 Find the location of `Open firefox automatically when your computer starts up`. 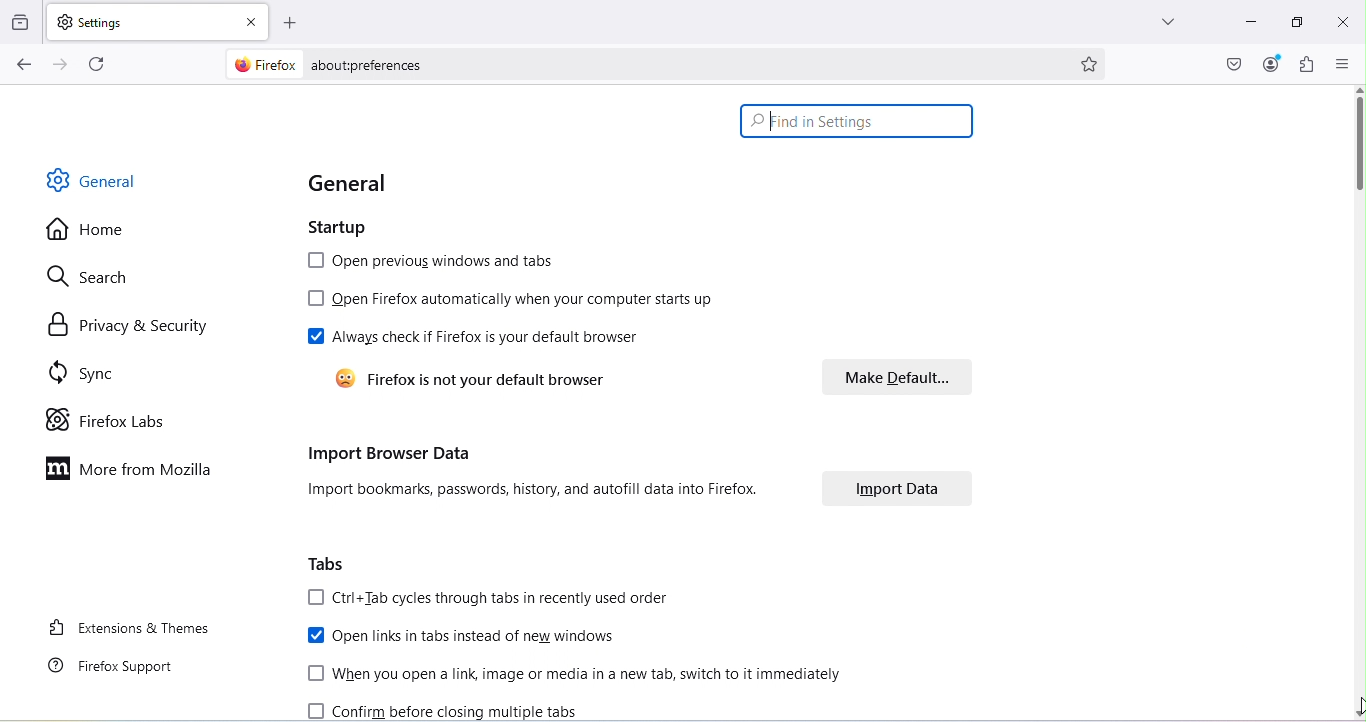

Open firefox automatically when your computer starts up is located at coordinates (520, 301).